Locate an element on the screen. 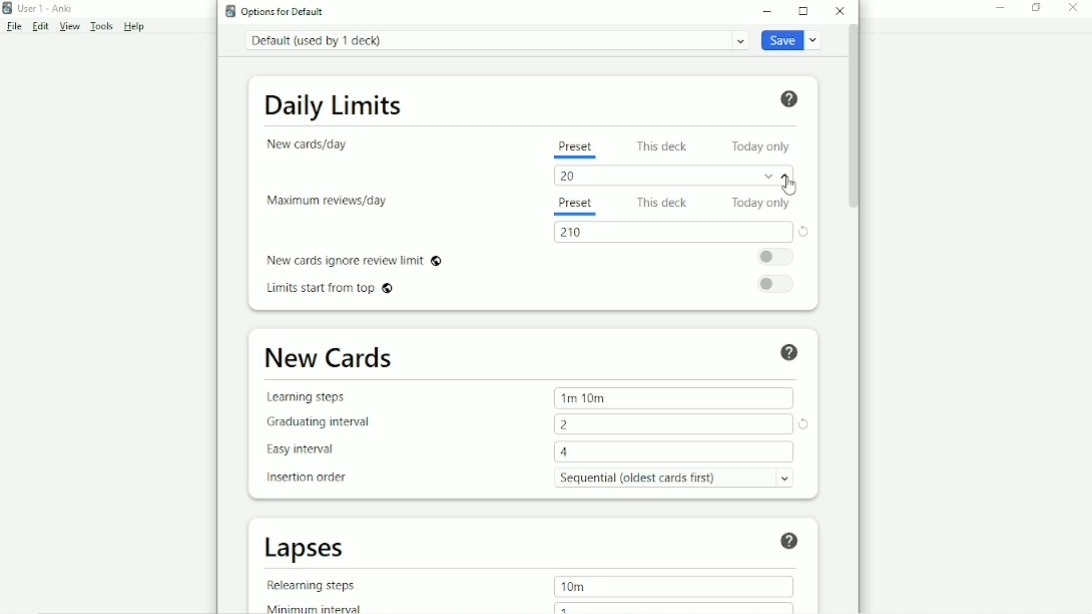 This screenshot has height=614, width=1092. Daily Limits is located at coordinates (336, 105).